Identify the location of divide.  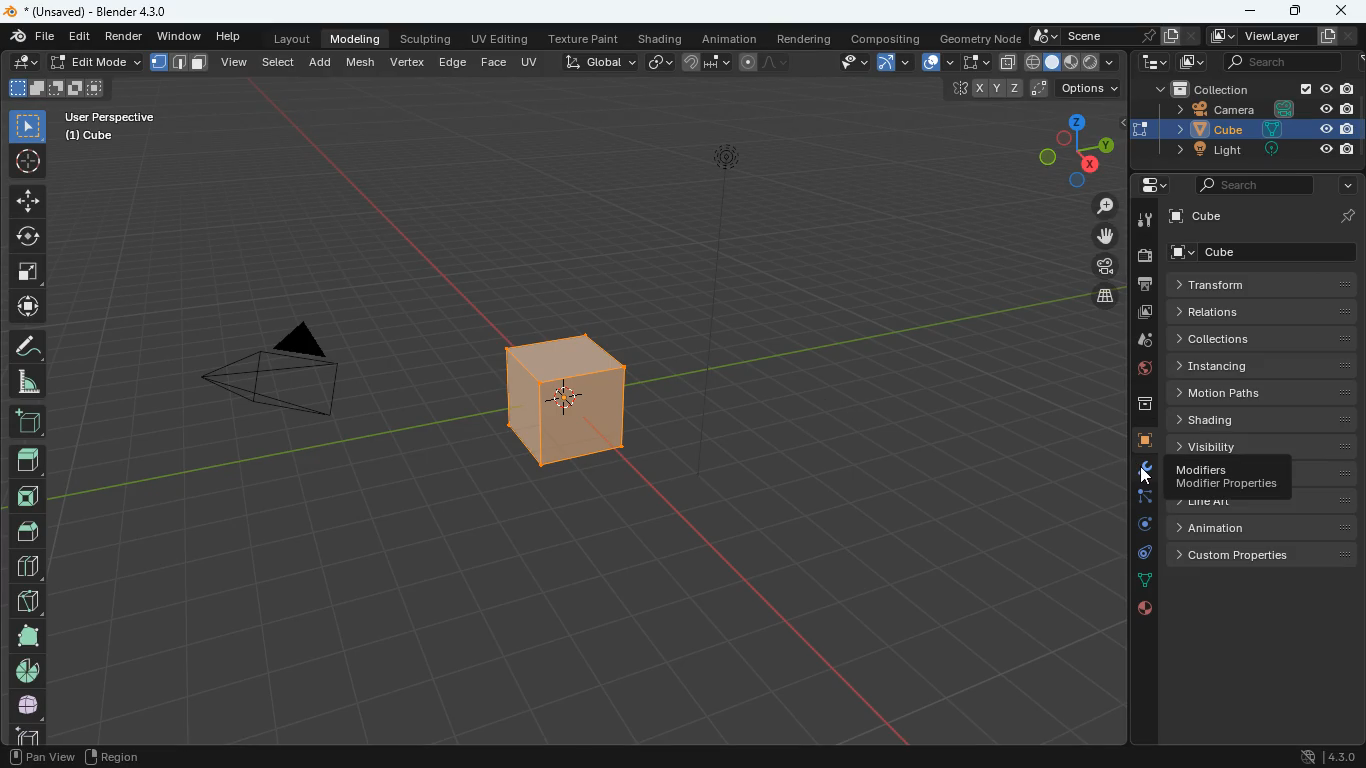
(29, 565).